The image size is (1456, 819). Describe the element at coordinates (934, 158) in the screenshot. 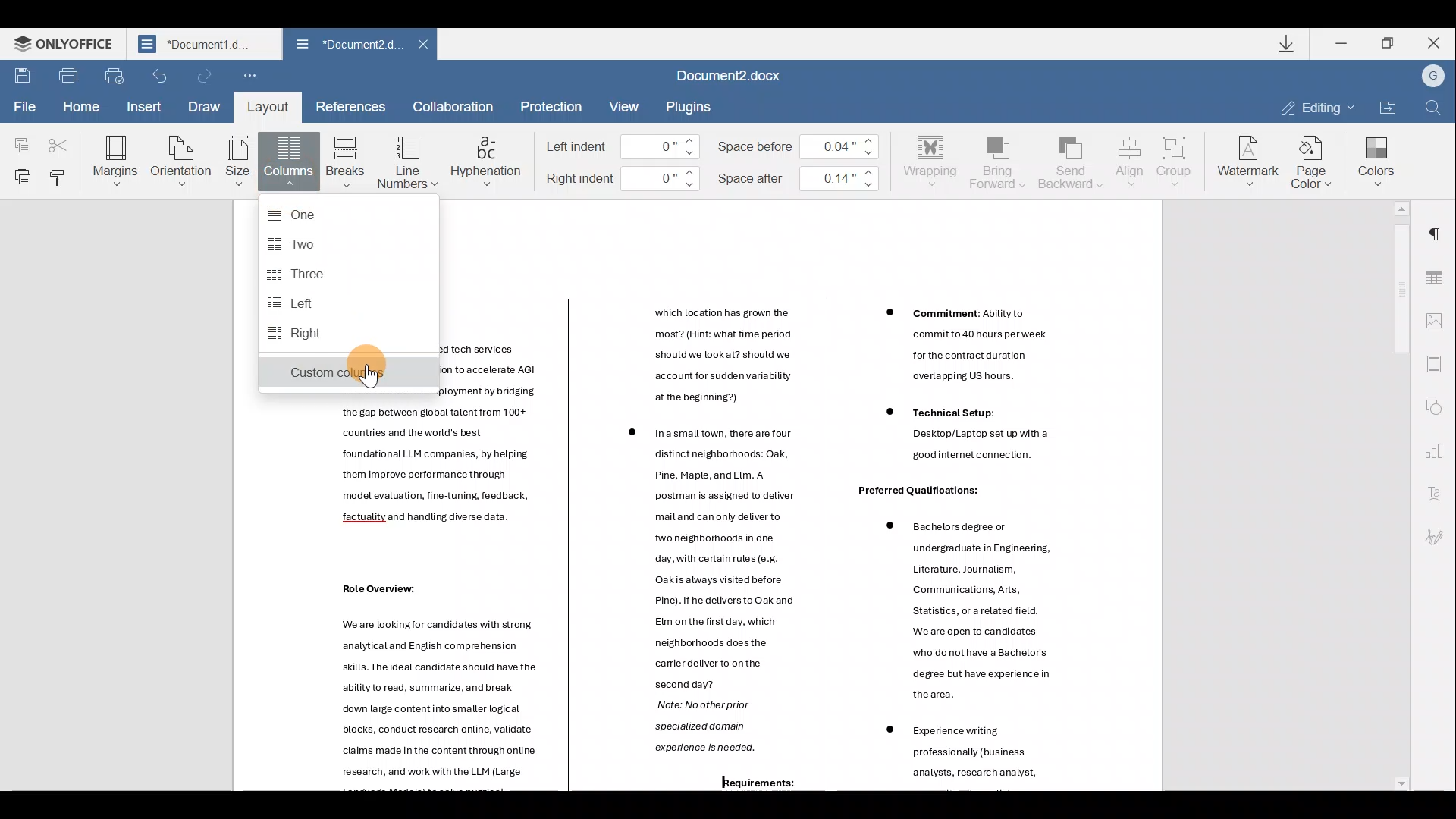

I see `Wrapping` at that location.